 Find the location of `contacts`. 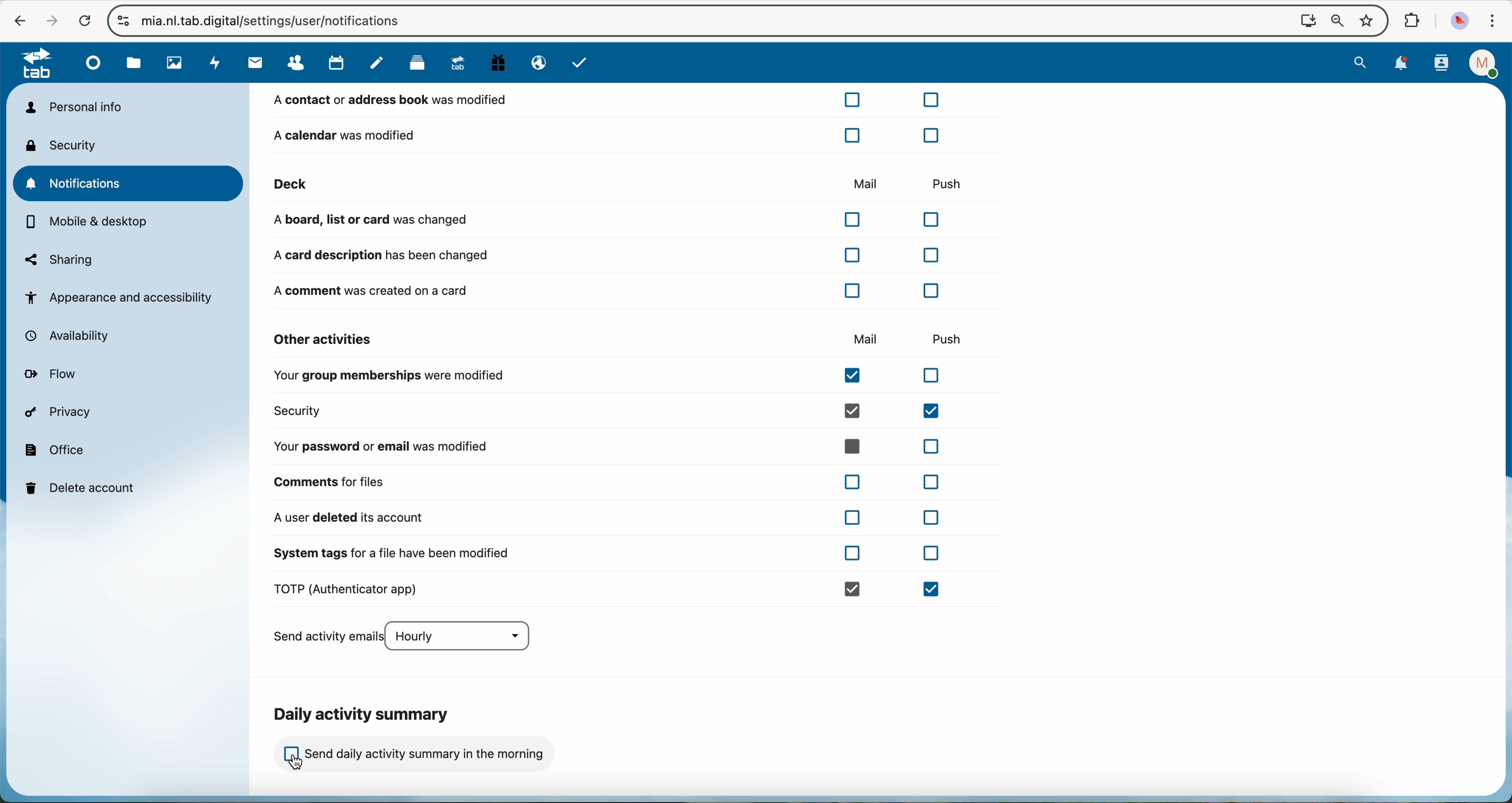

contacts is located at coordinates (1441, 64).